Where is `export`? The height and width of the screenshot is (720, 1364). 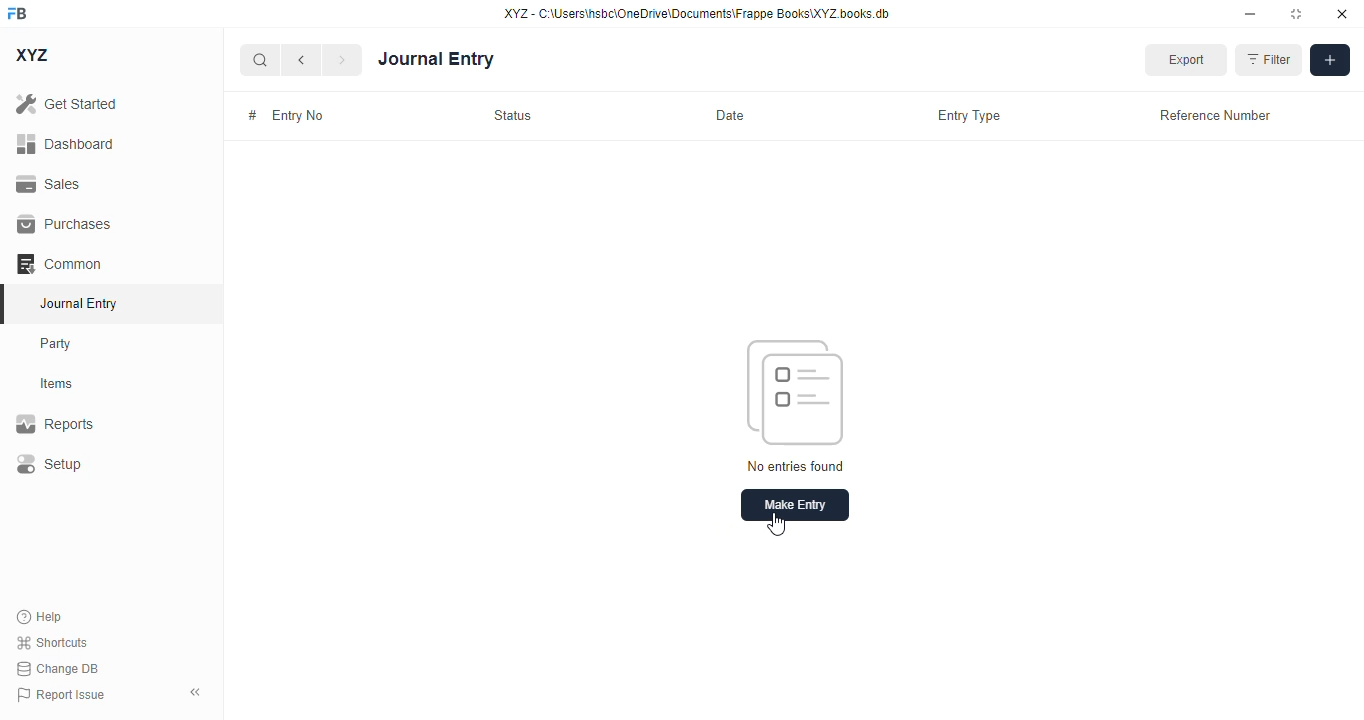 export is located at coordinates (1185, 60).